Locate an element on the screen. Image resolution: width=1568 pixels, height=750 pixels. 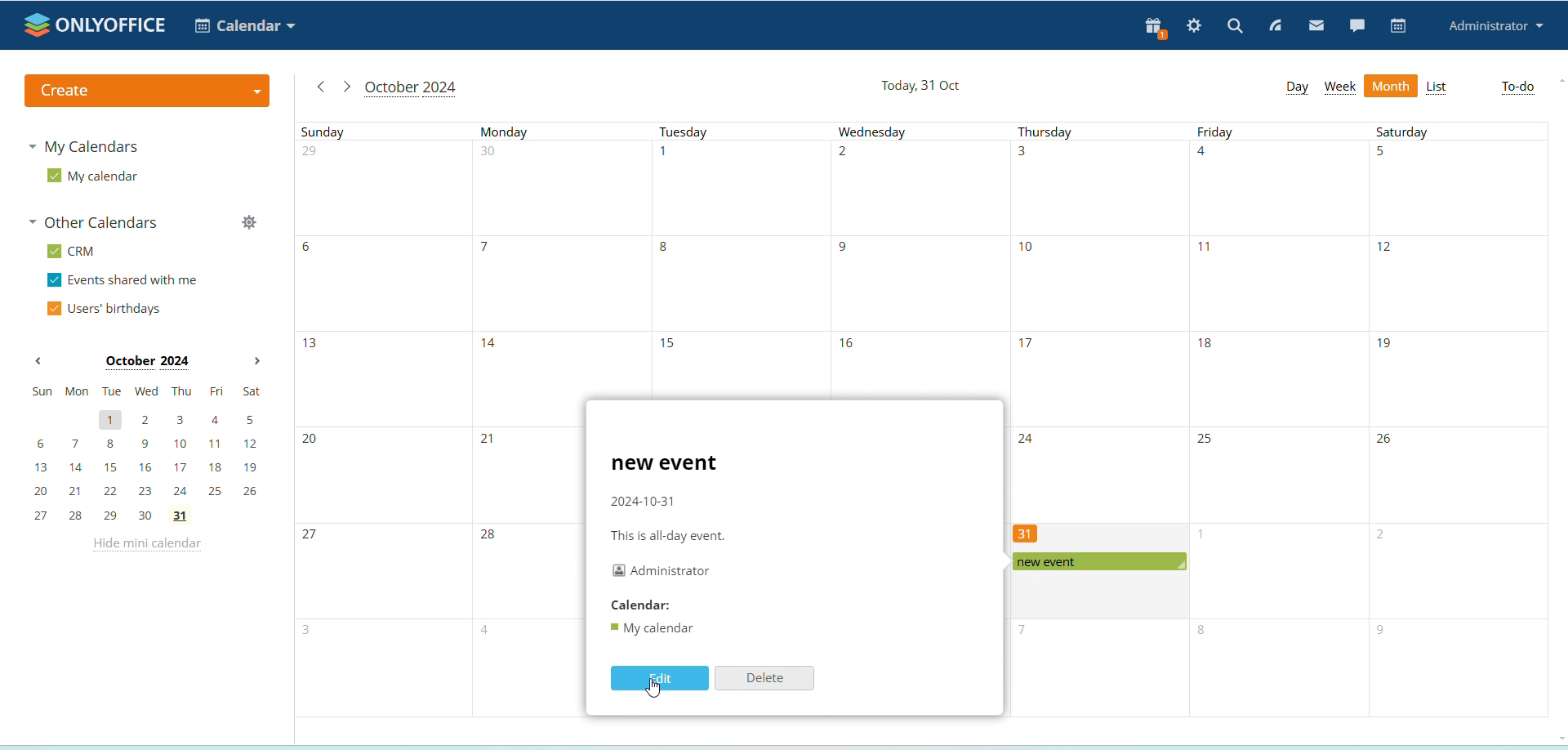
scroll down is located at coordinates (1558, 736).